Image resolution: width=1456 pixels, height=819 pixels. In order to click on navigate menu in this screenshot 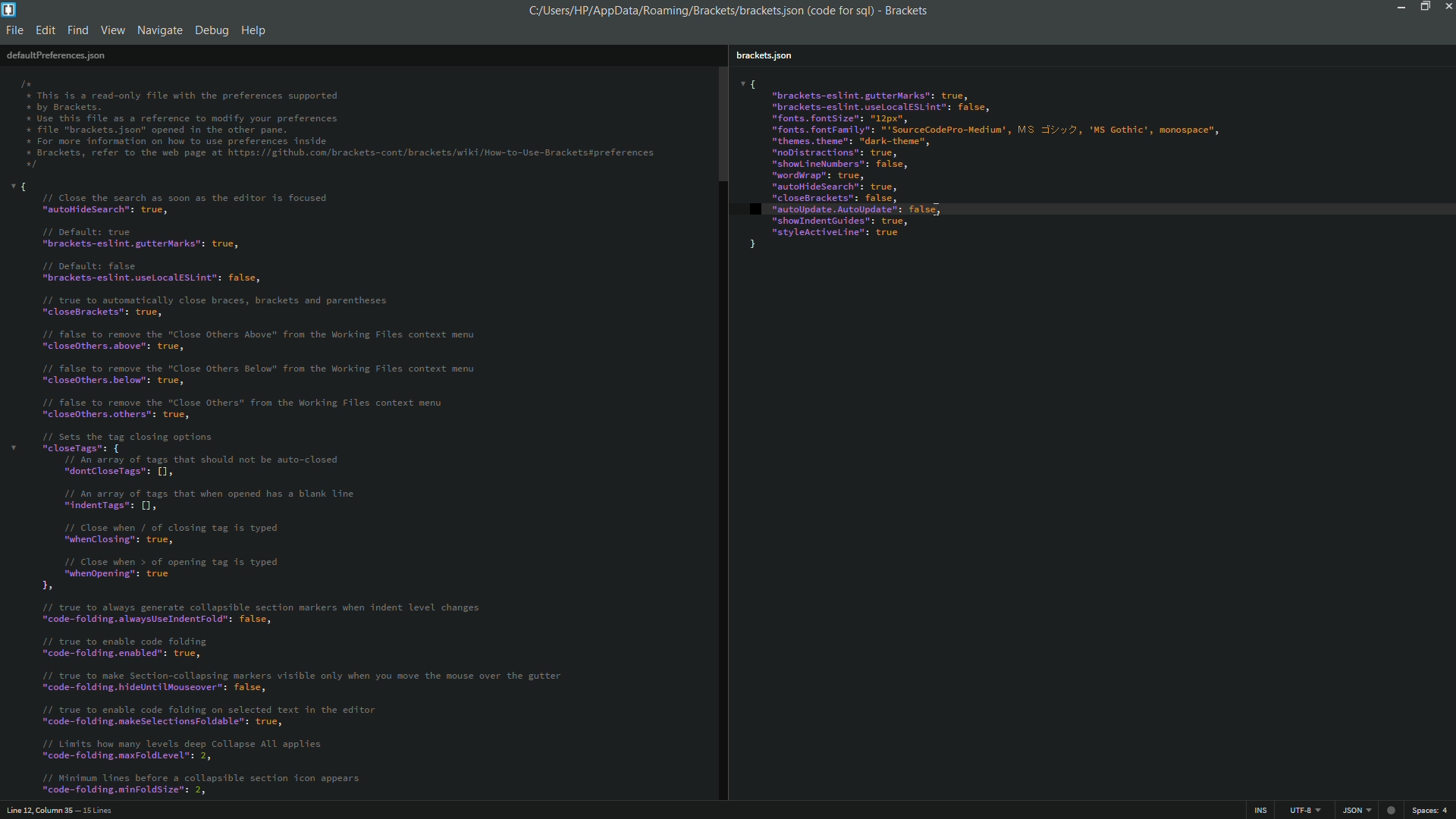, I will do `click(158, 30)`.